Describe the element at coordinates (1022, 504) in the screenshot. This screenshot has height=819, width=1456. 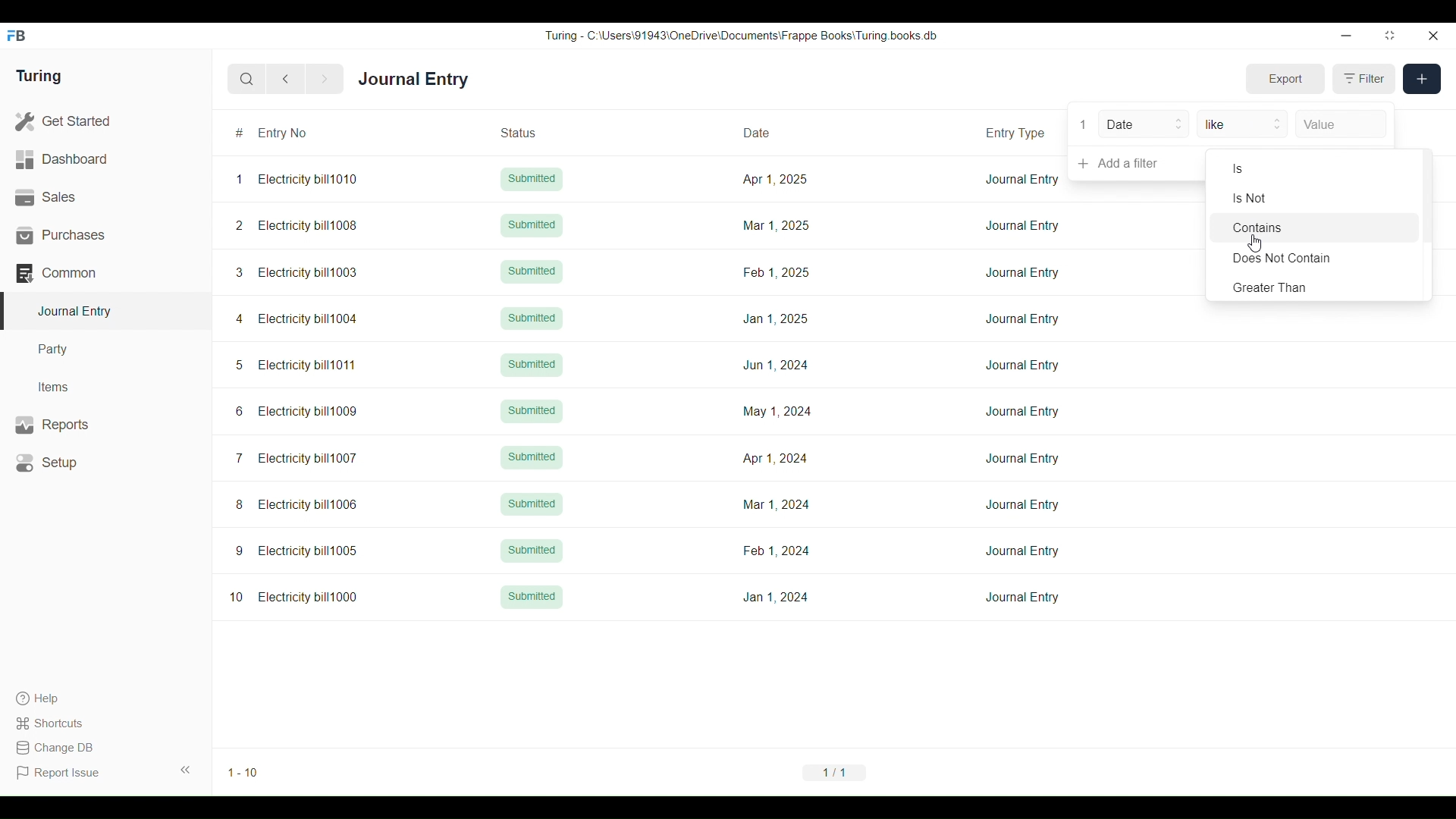
I see `Journal Entry` at that location.